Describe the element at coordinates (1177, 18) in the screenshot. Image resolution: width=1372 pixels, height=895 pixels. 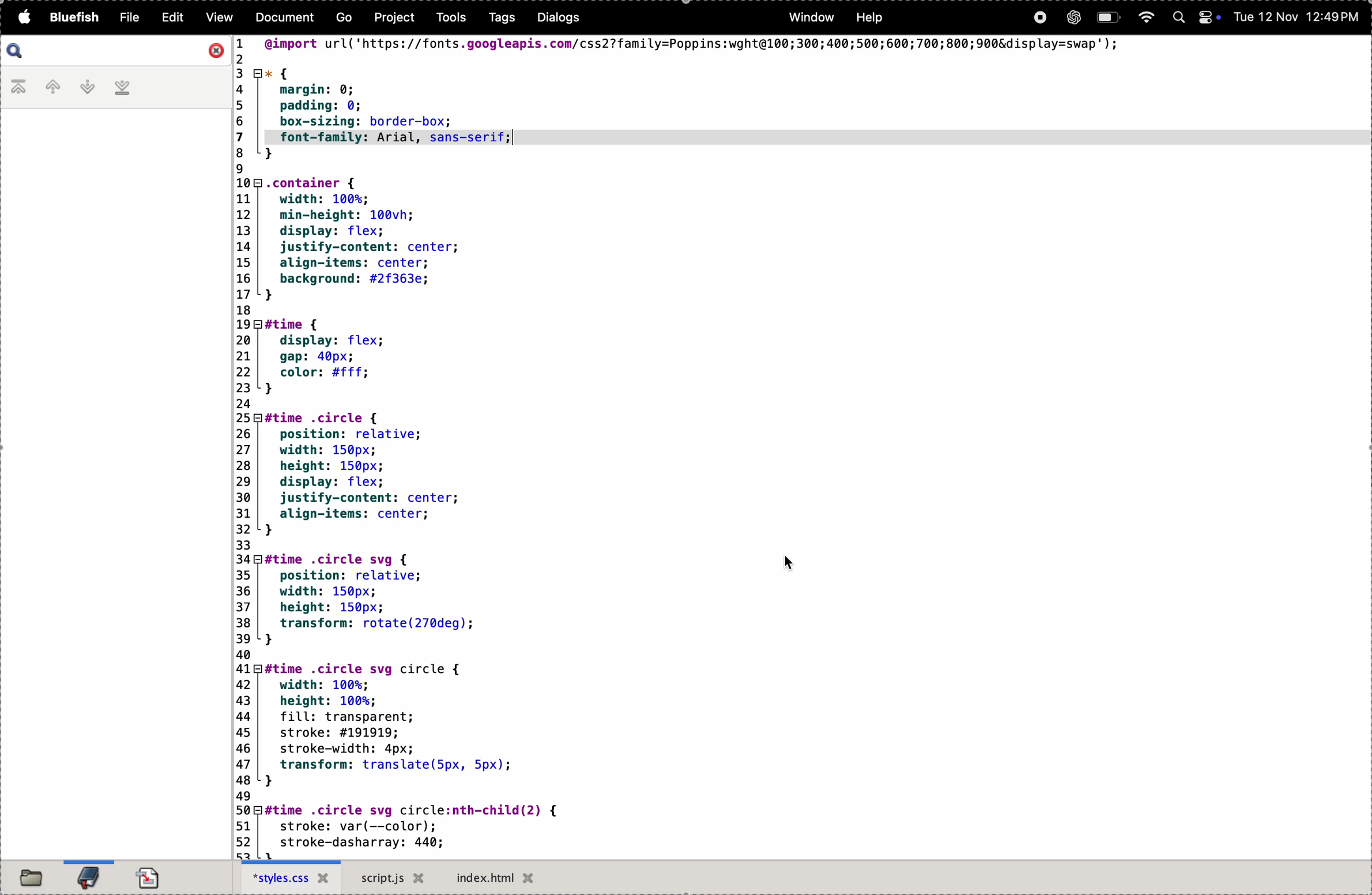
I see `Spotlight` at that location.